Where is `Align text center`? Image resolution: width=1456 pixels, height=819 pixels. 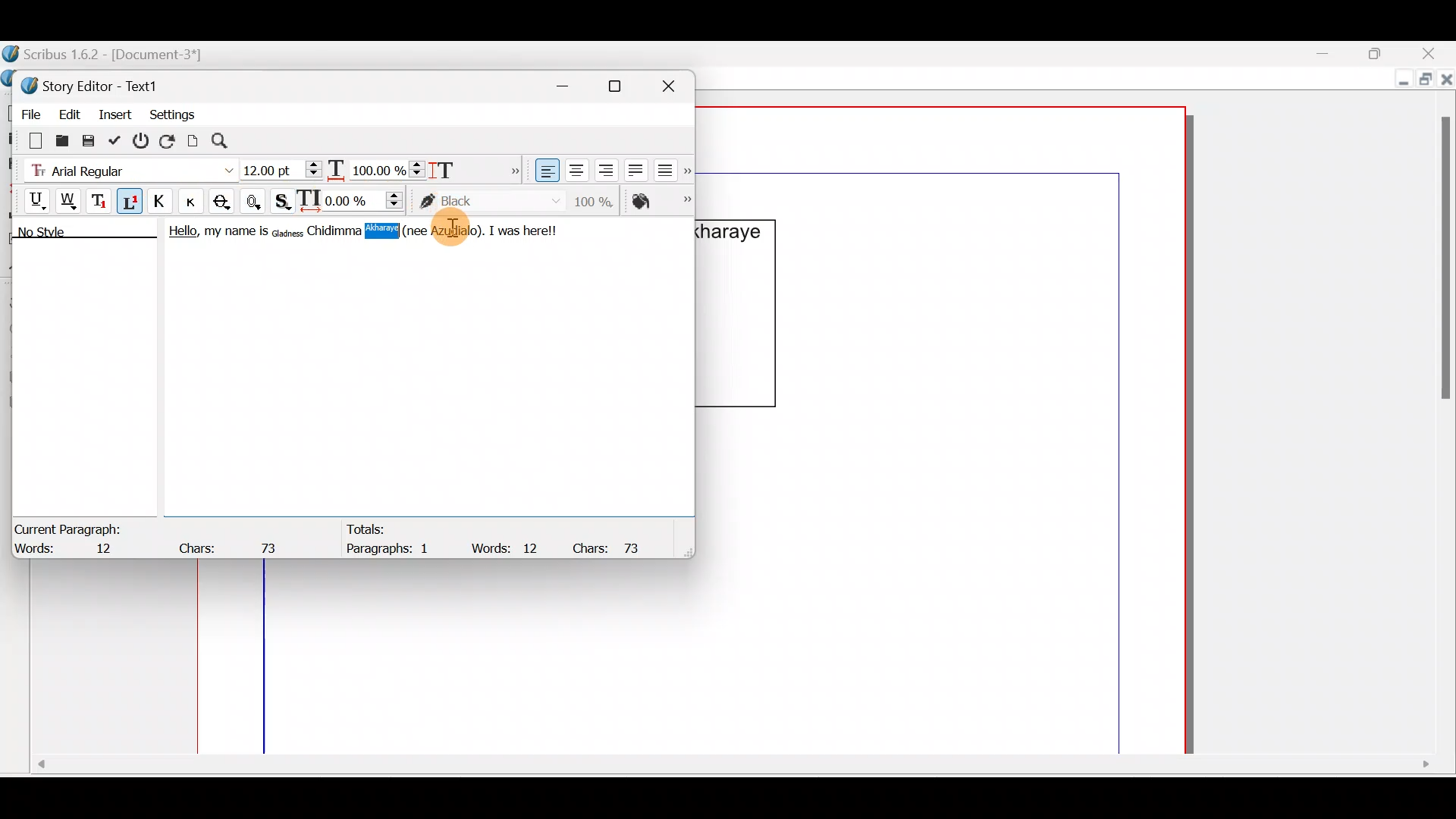 Align text center is located at coordinates (575, 168).